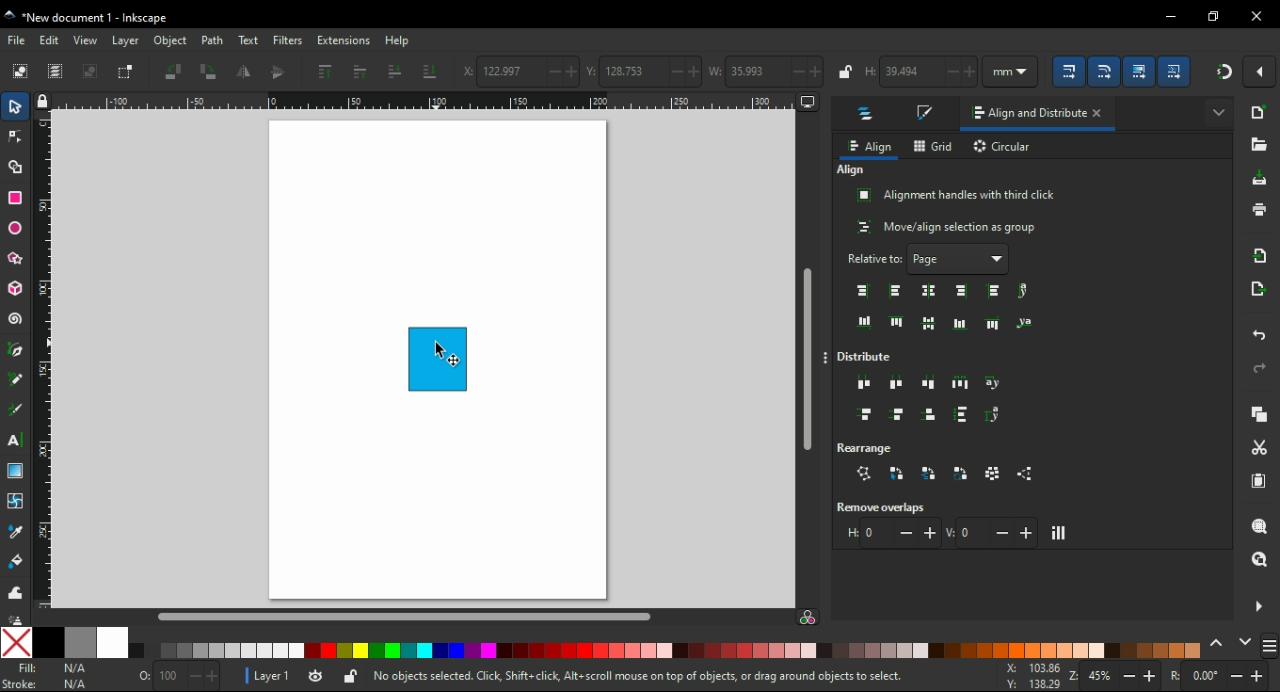 Image resolution: width=1280 pixels, height=692 pixels. I want to click on text tool, so click(19, 440).